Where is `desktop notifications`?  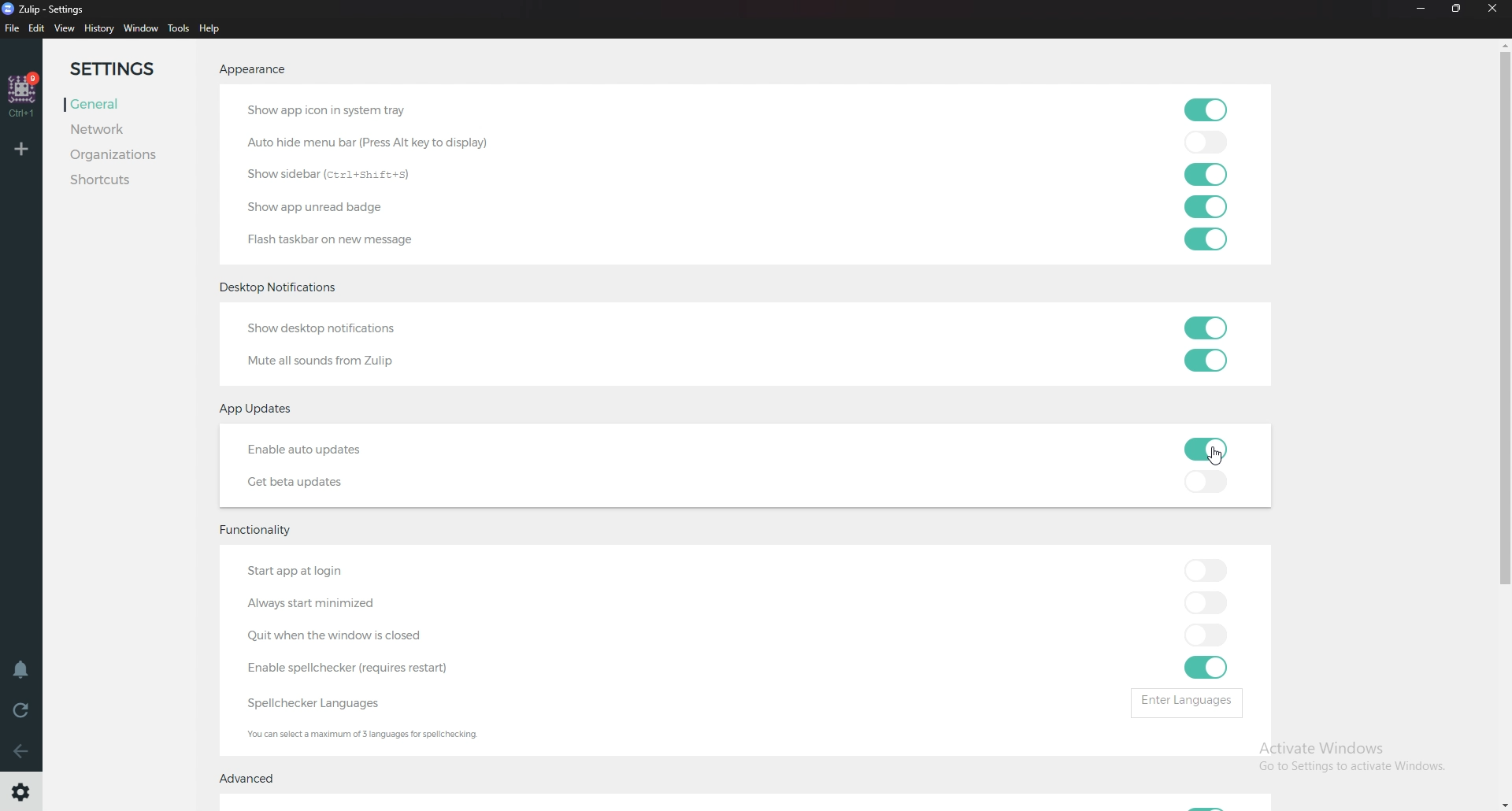
desktop notifications is located at coordinates (289, 286).